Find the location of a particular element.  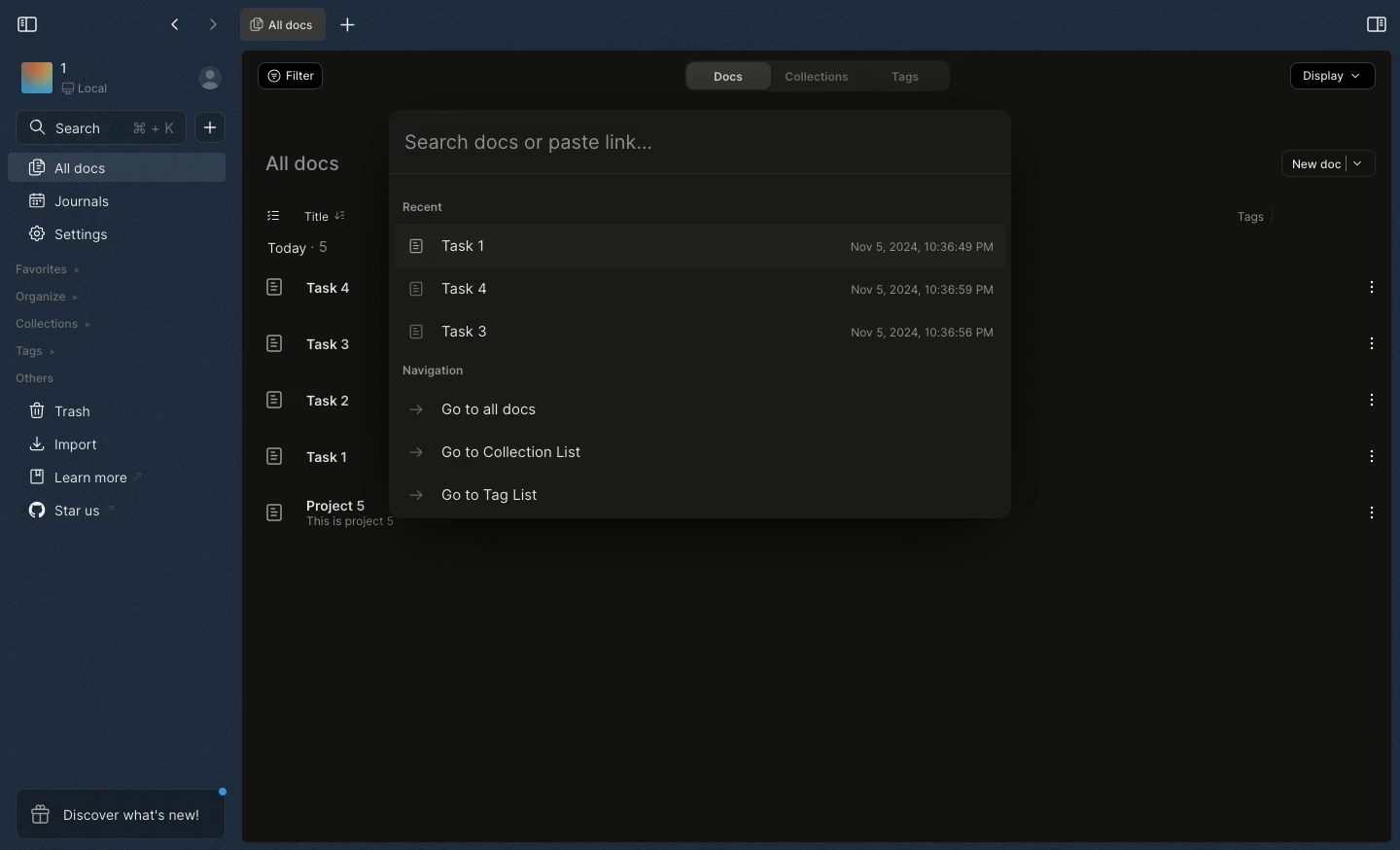

Project 5 is located at coordinates (328, 514).